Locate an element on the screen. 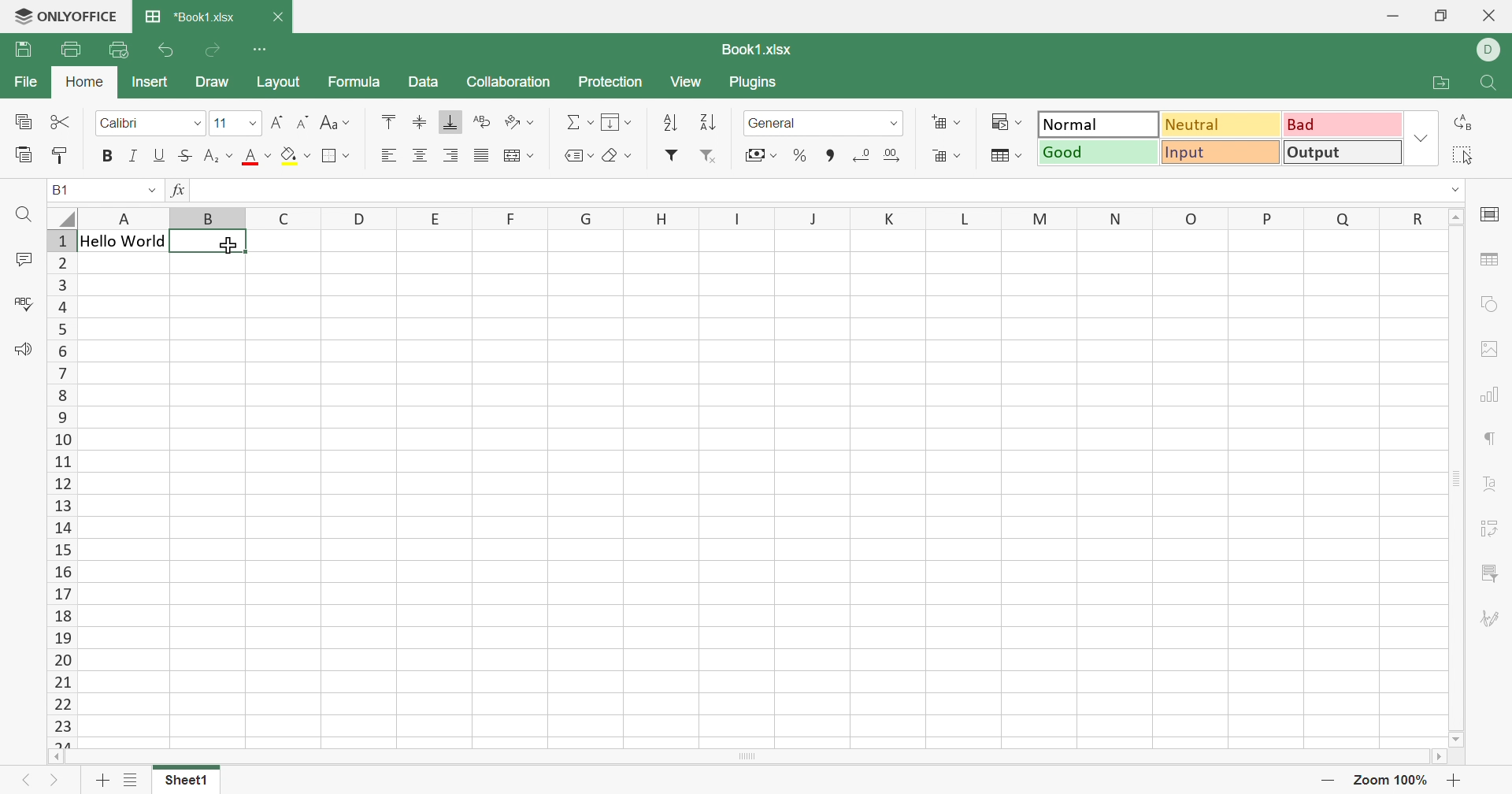  Feedback & Support is located at coordinates (21, 350).